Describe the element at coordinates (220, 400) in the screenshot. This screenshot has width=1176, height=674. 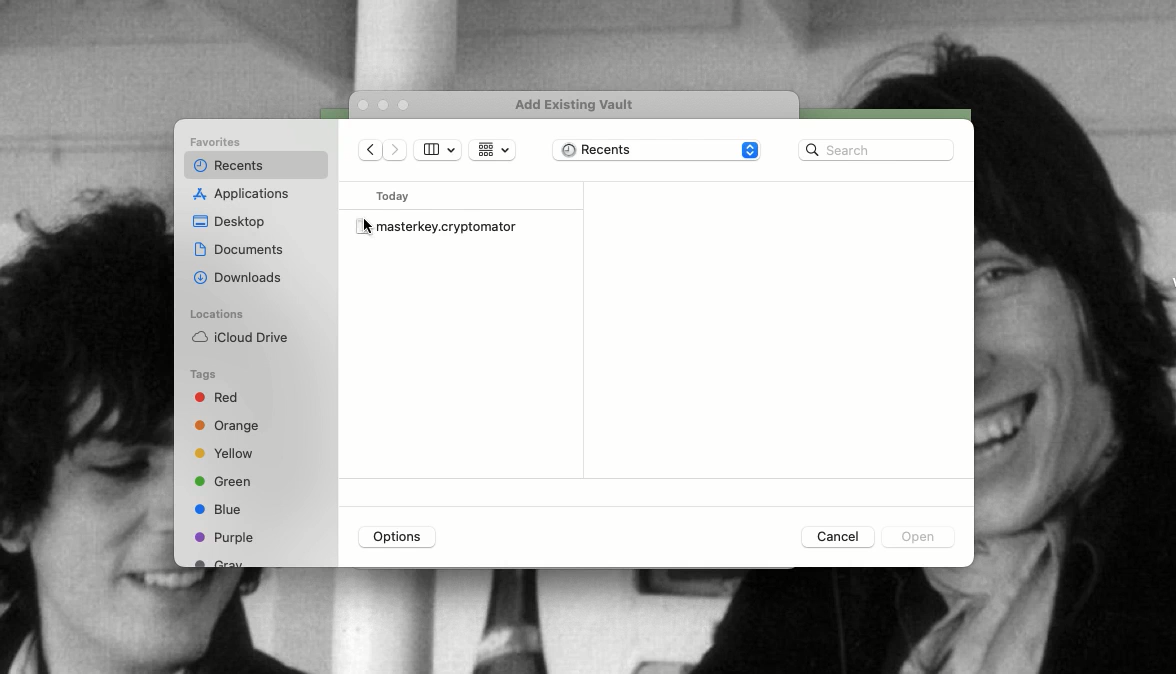
I see `Red` at that location.